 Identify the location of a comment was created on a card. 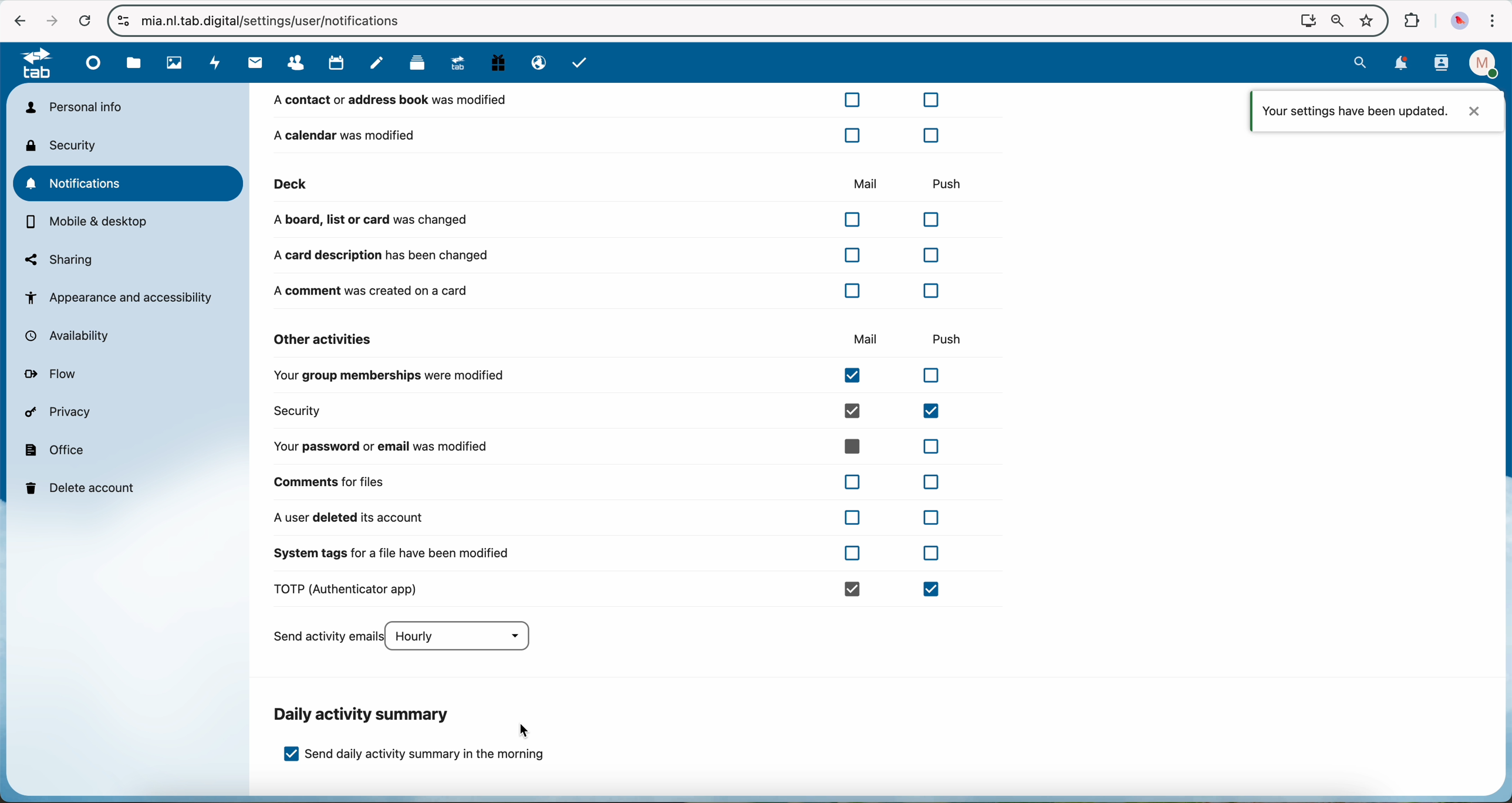
(612, 290).